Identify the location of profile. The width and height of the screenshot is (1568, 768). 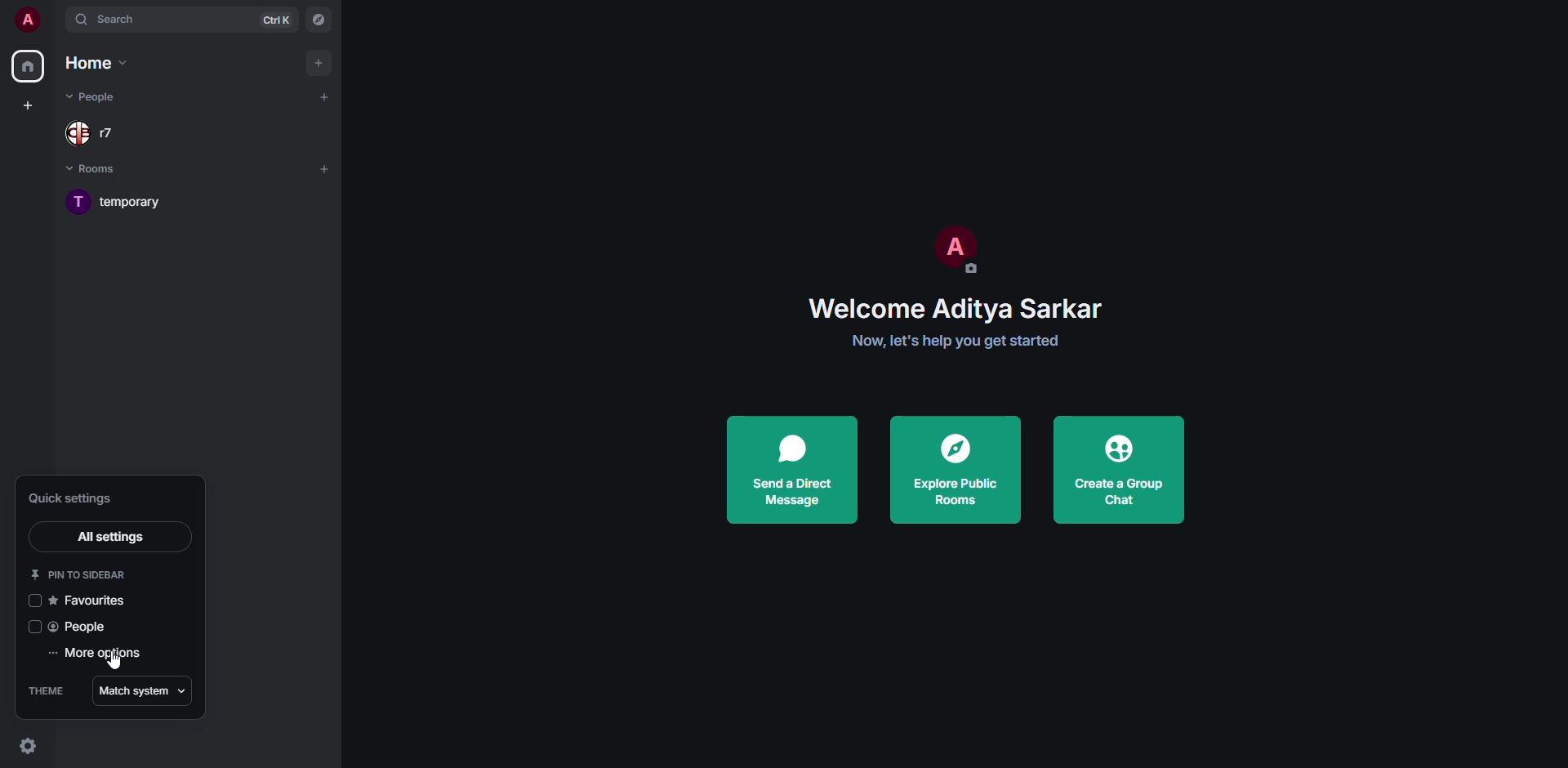
(25, 20).